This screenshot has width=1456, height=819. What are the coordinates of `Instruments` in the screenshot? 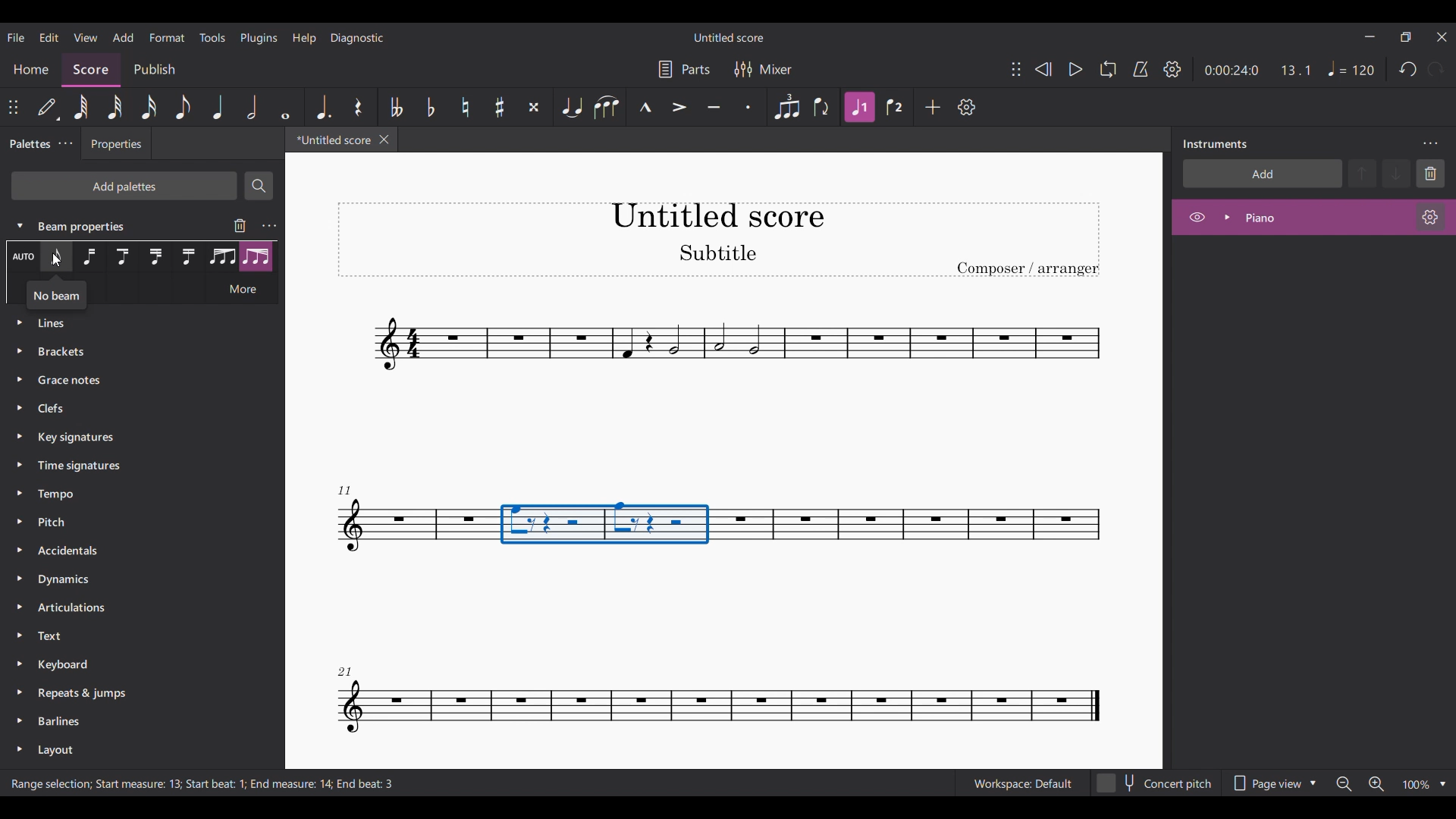 It's located at (1215, 144).